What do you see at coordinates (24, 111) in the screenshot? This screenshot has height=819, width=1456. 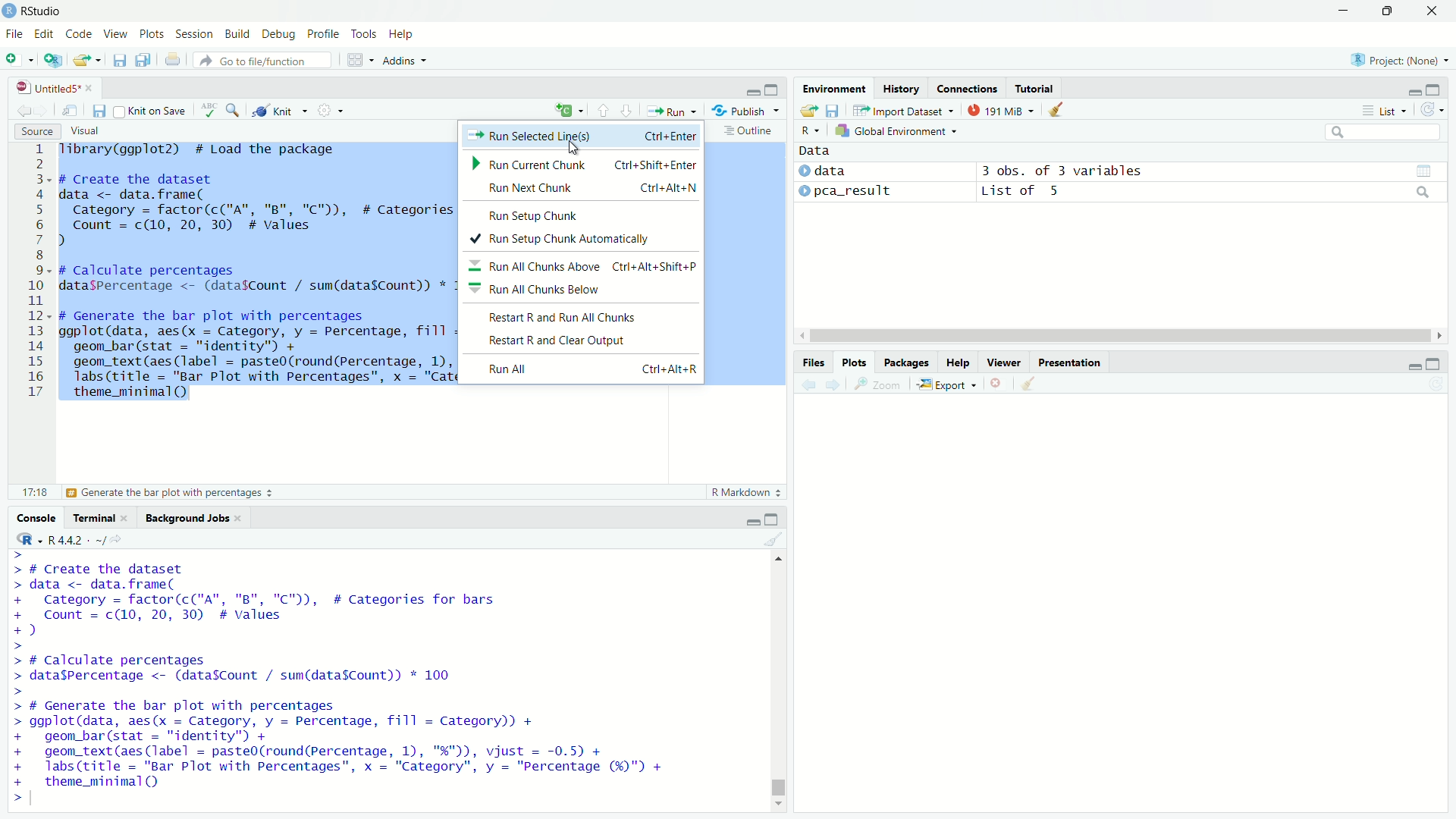 I see `go back` at bounding box center [24, 111].